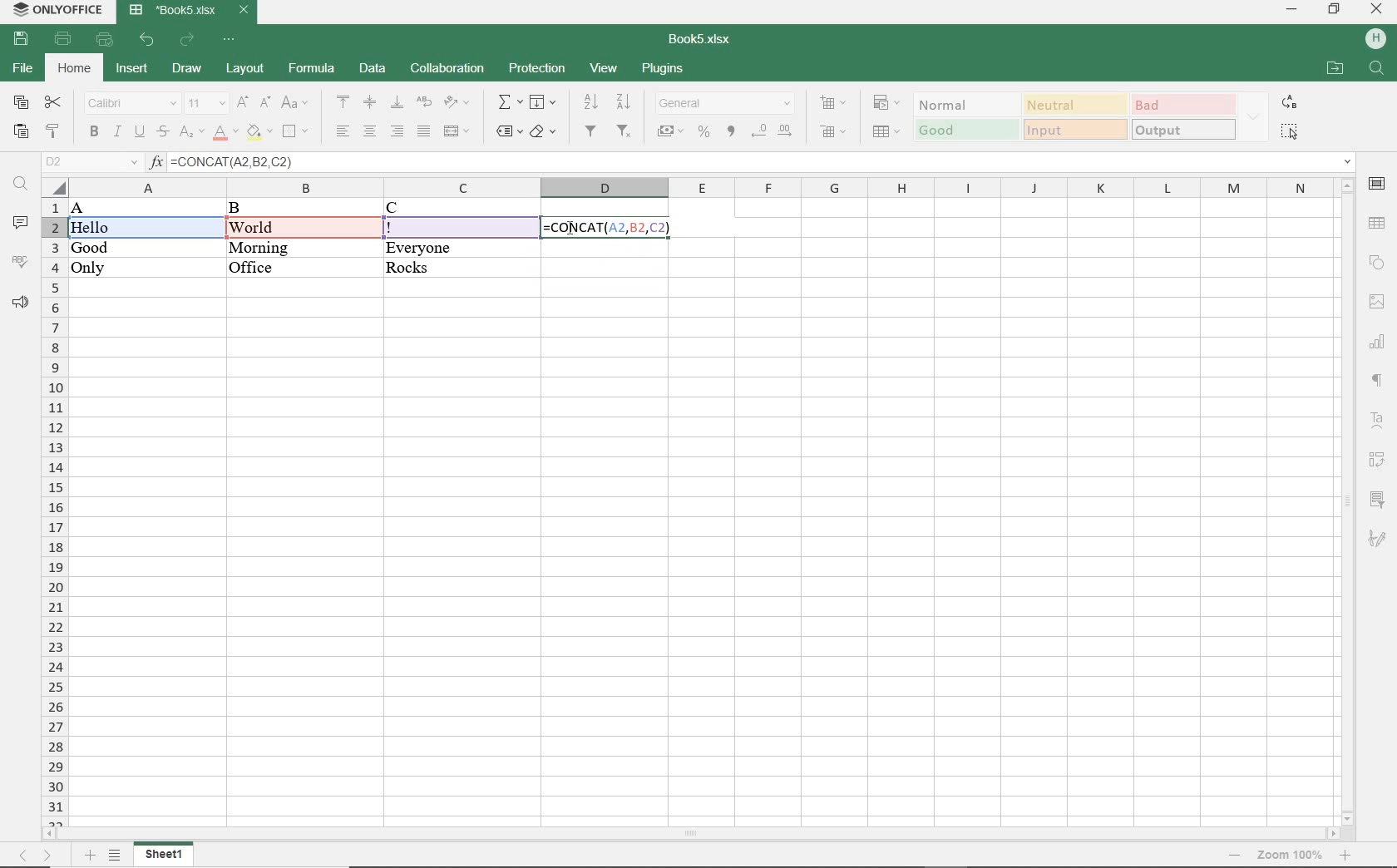 The width and height of the screenshot is (1397, 868). I want to click on IMAGE, so click(1377, 300).